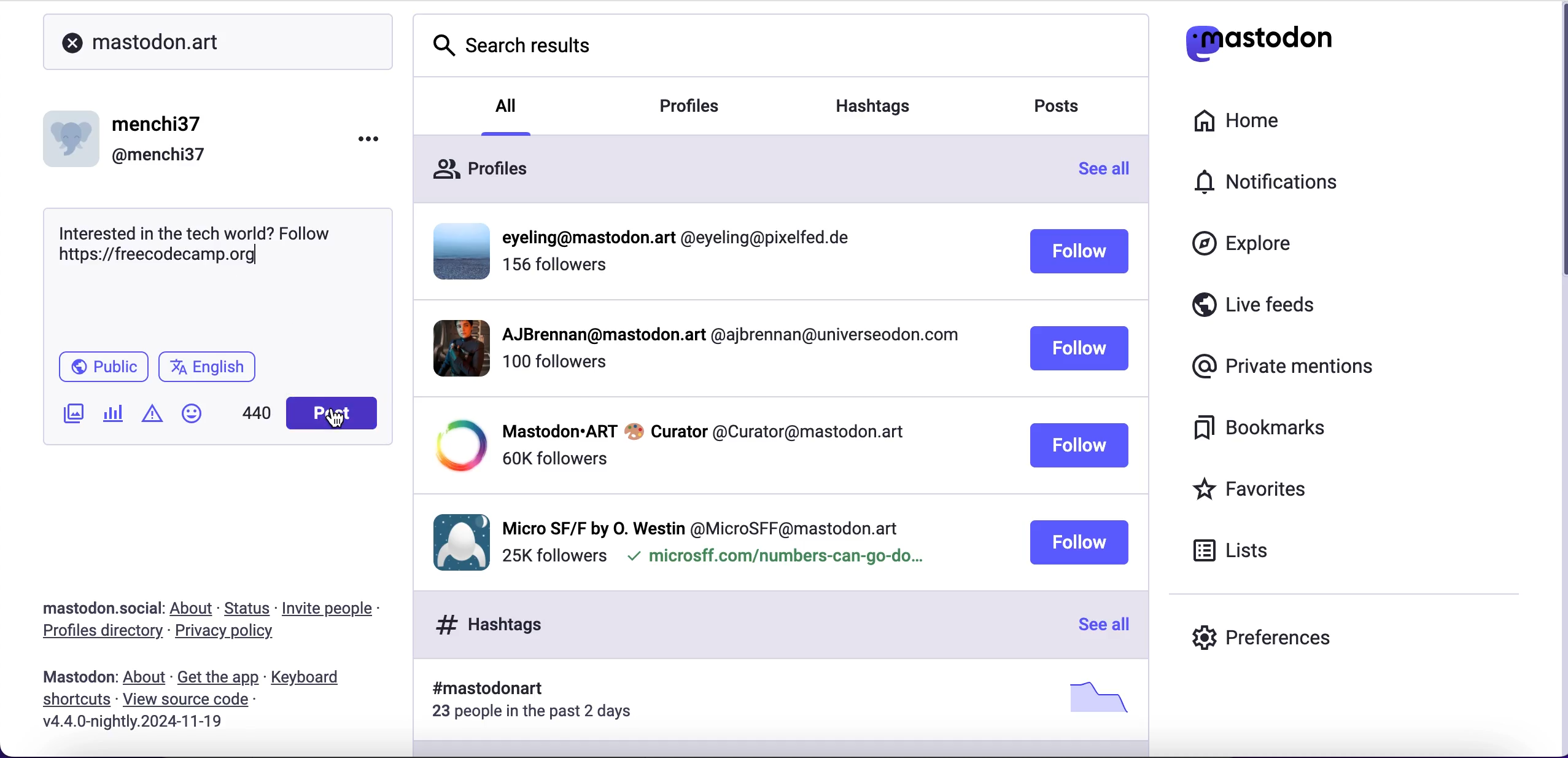  What do you see at coordinates (219, 677) in the screenshot?
I see `get the app` at bounding box center [219, 677].